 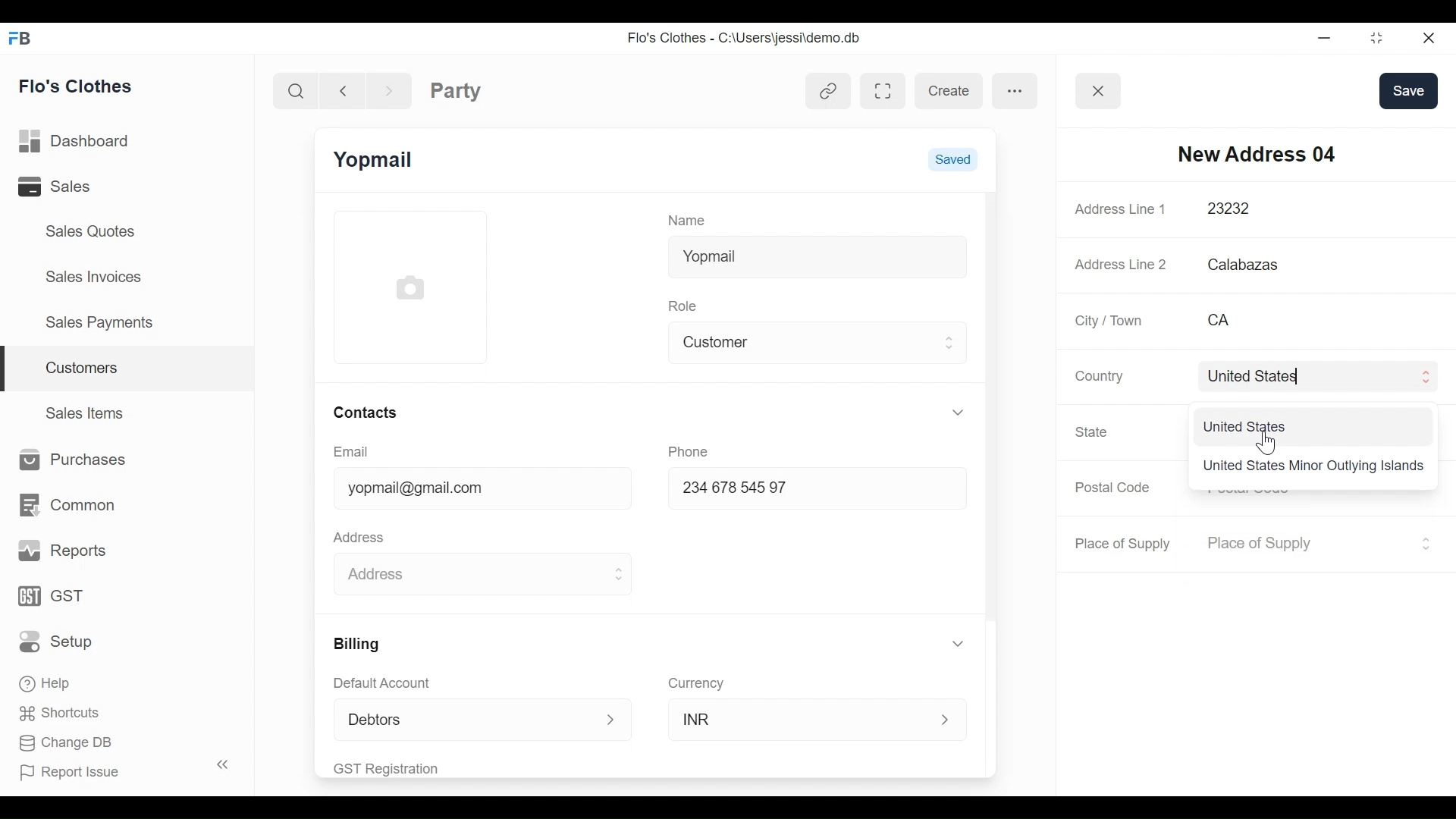 I want to click on Toggle between form and full width view, so click(x=883, y=91).